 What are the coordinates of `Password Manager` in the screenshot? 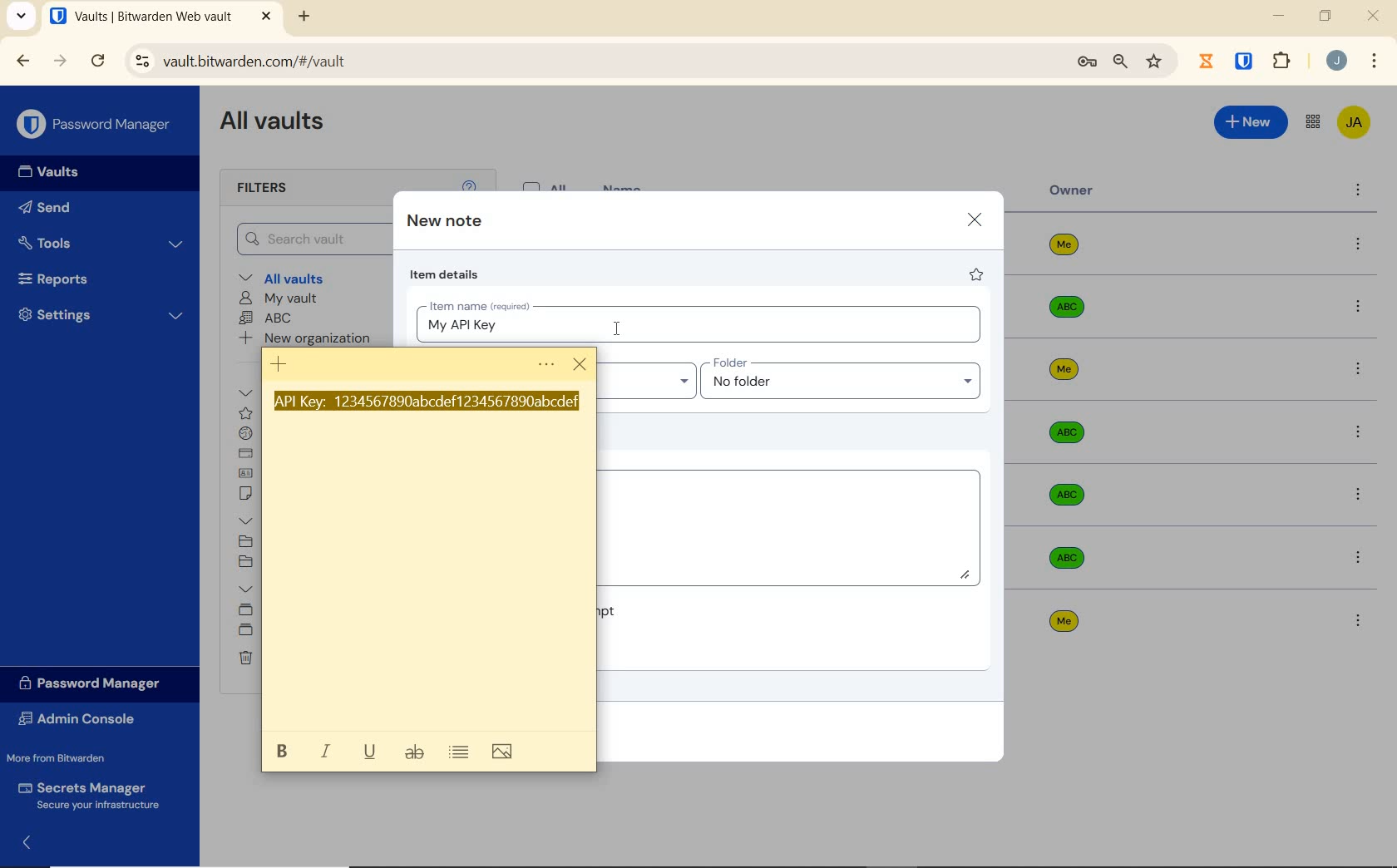 It's located at (95, 683).